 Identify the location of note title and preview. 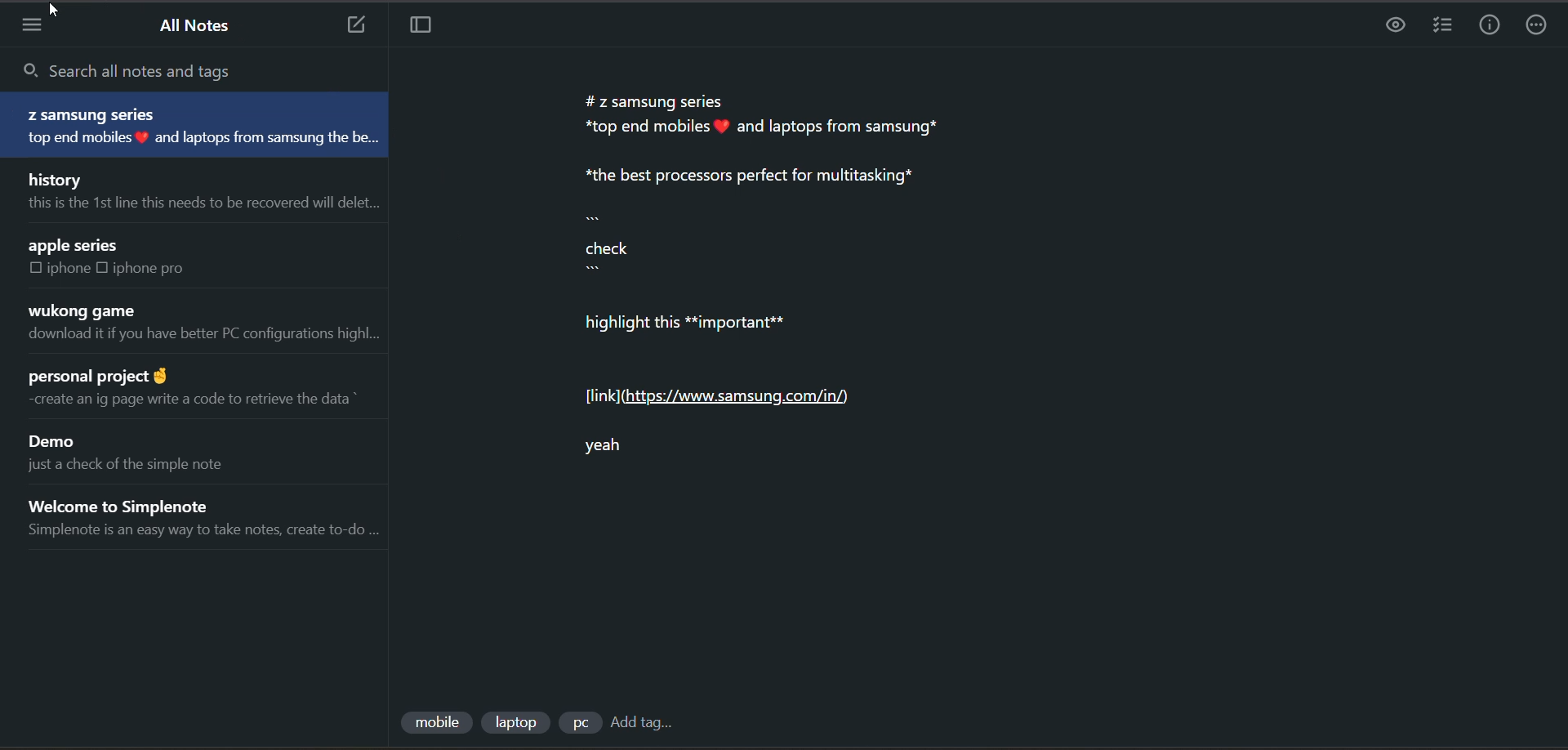
(199, 123).